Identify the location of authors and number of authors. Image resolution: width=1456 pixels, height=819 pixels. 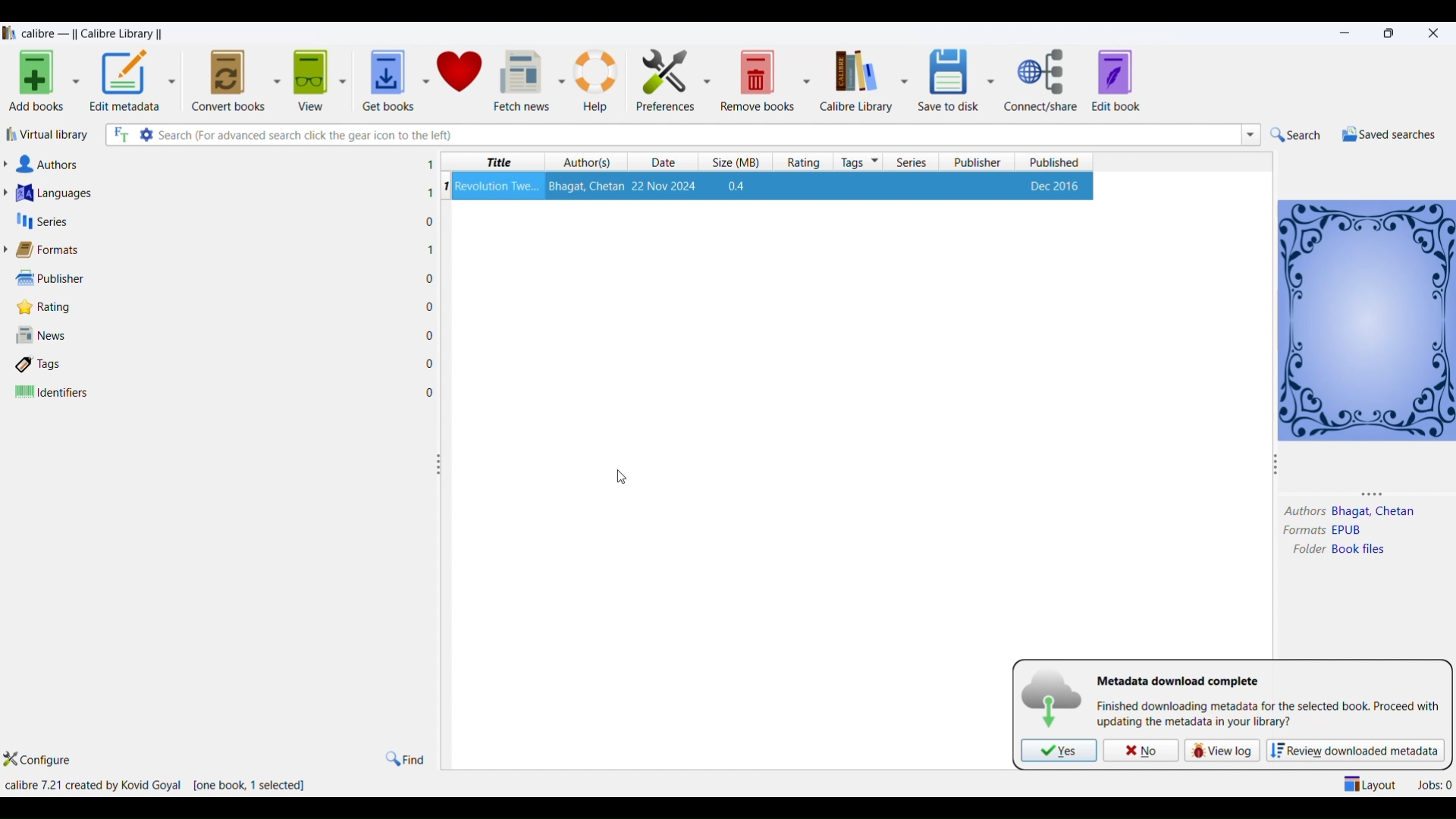
(52, 165).